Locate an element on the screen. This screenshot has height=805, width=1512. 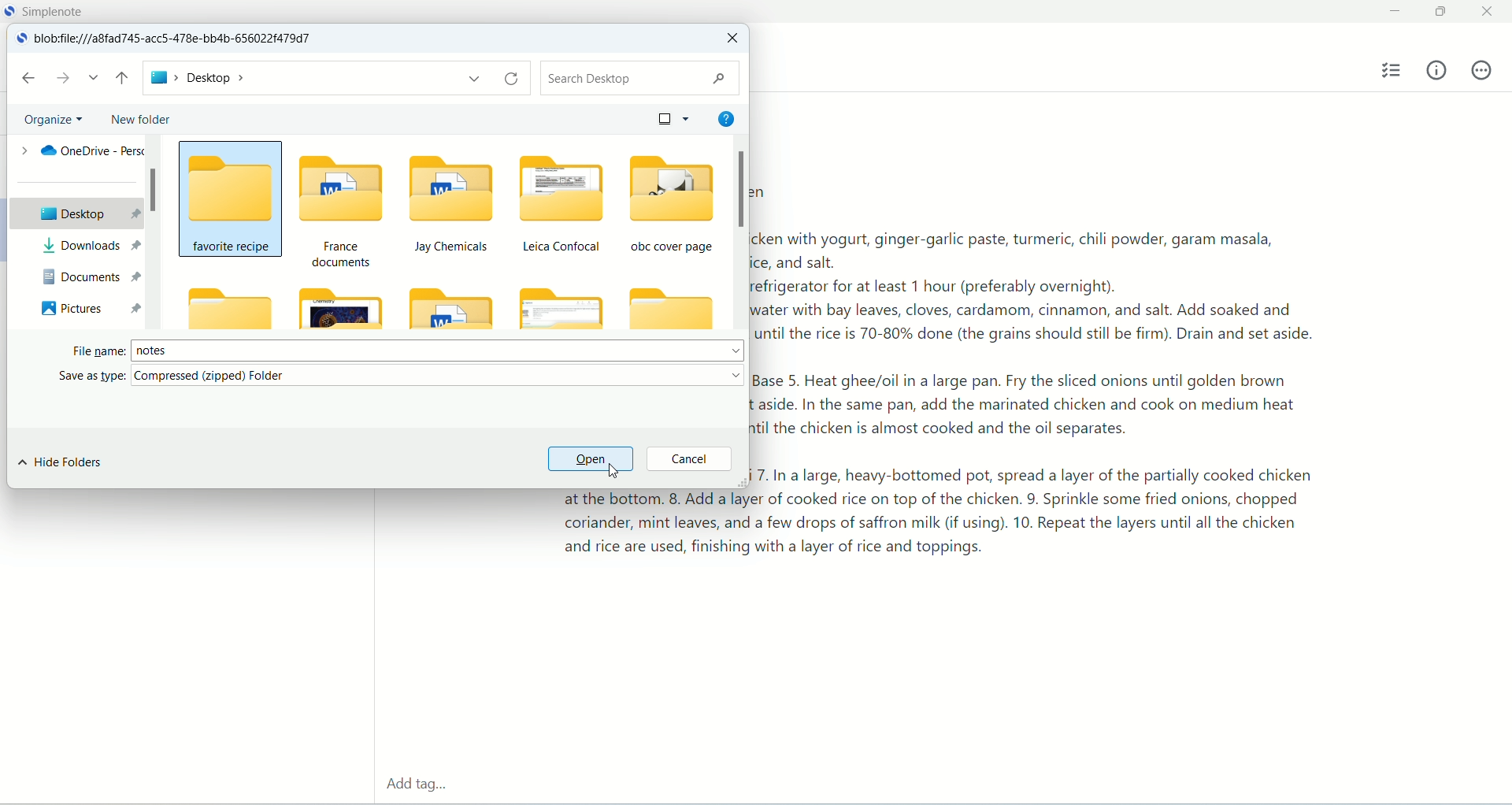
vertical scroll bar is located at coordinates (738, 233).